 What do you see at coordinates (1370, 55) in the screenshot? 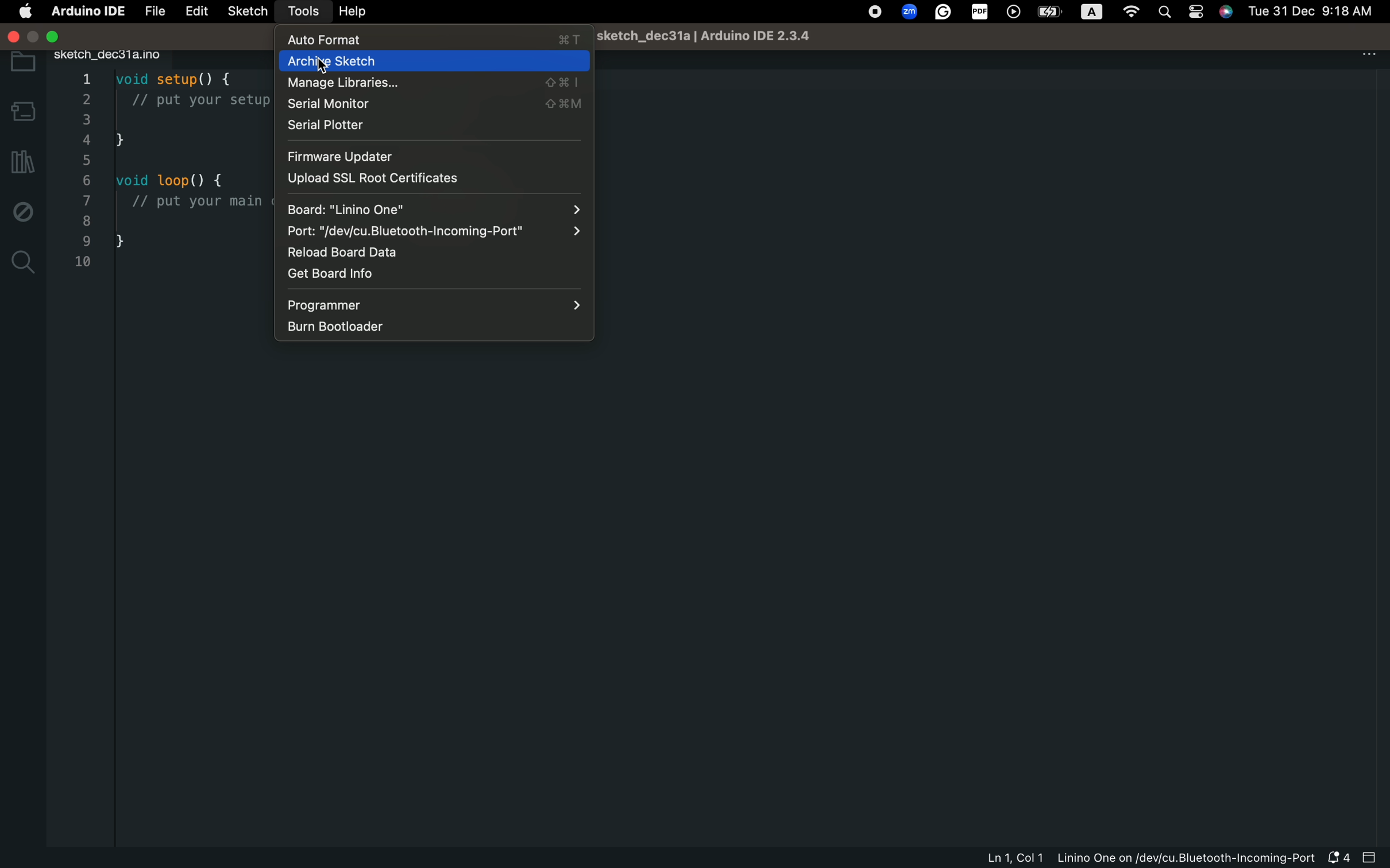
I see `More Menu` at bounding box center [1370, 55].